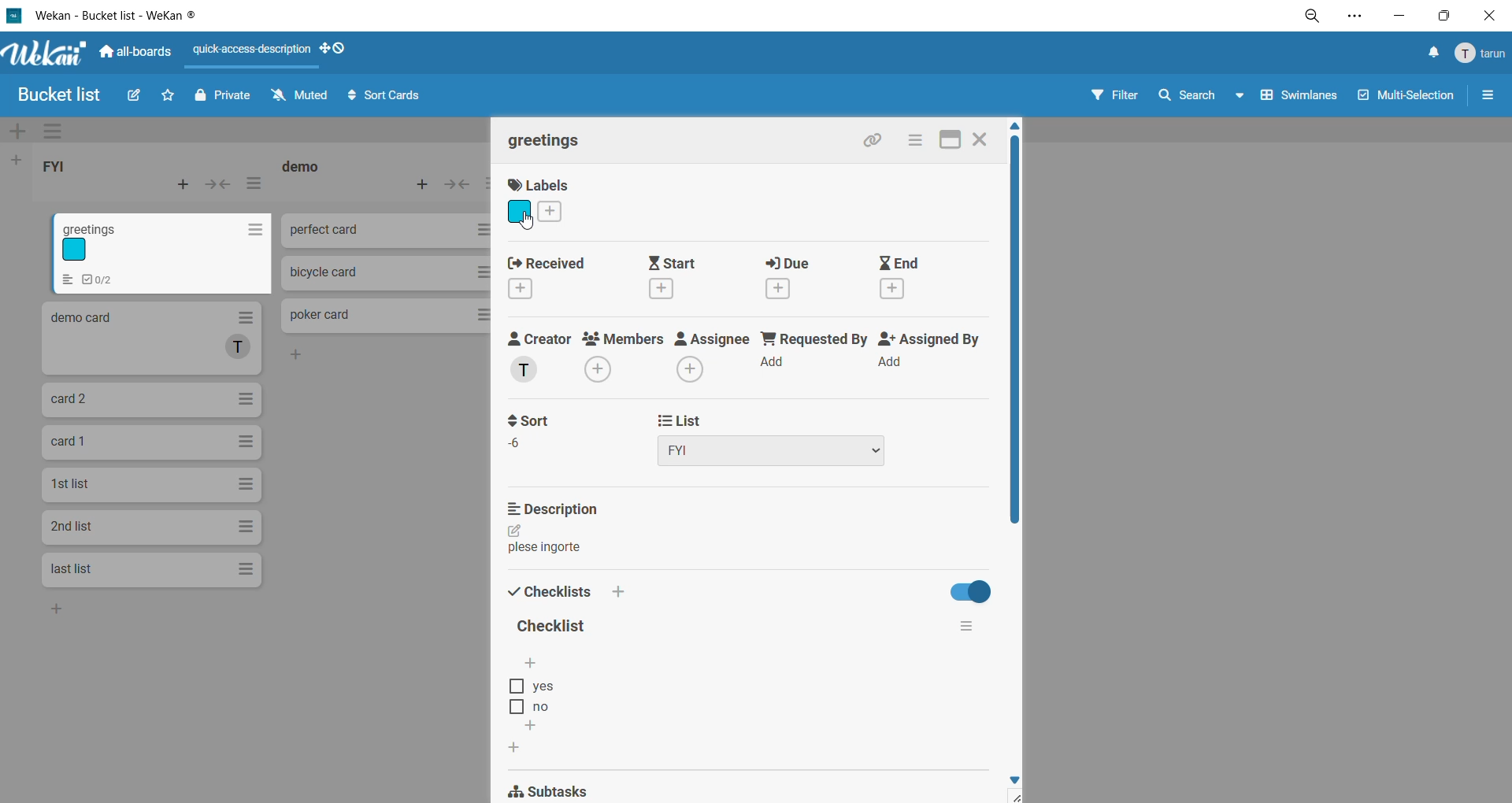  Describe the element at coordinates (557, 627) in the screenshot. I see `checklist title` at that location.